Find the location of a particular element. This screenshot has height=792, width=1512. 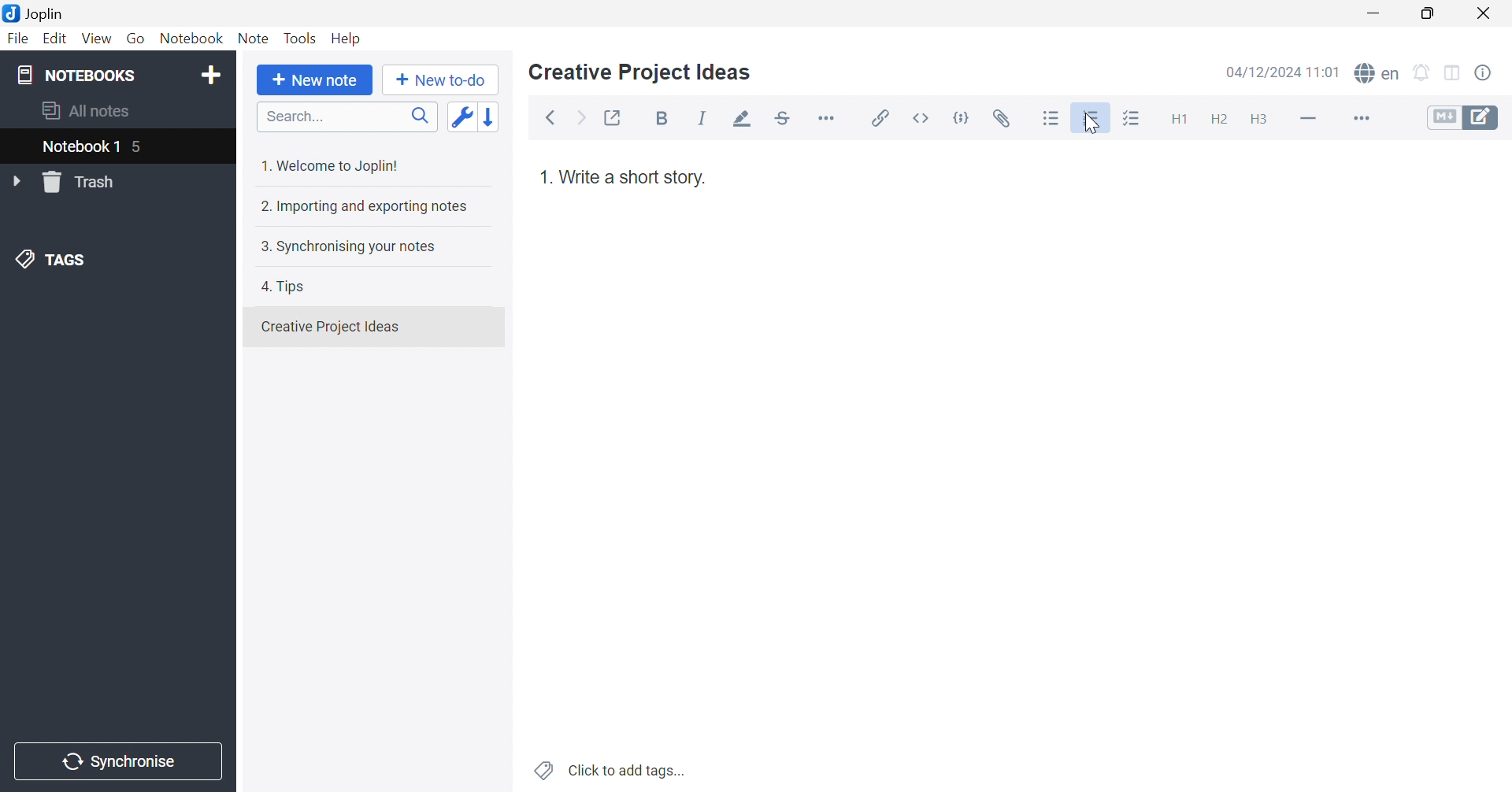

Strikethrough is located at coordinates (787, 120).